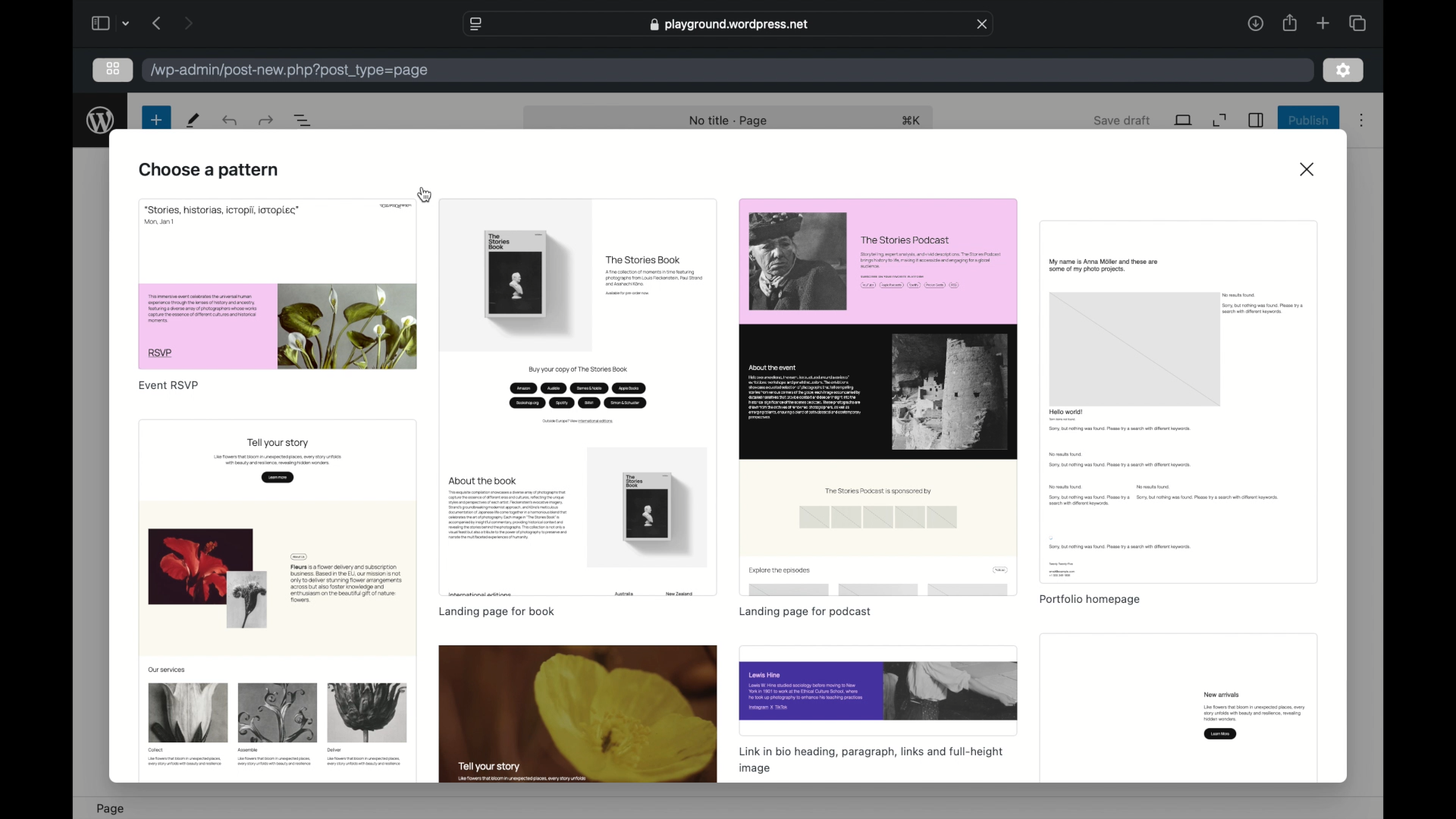 Image resolution: width=1456 pixels, height=819 pixels. What do you see at coordinates (290, 70) in the screenshot?
I see `wordpress address` at bounding box center [290, 70].